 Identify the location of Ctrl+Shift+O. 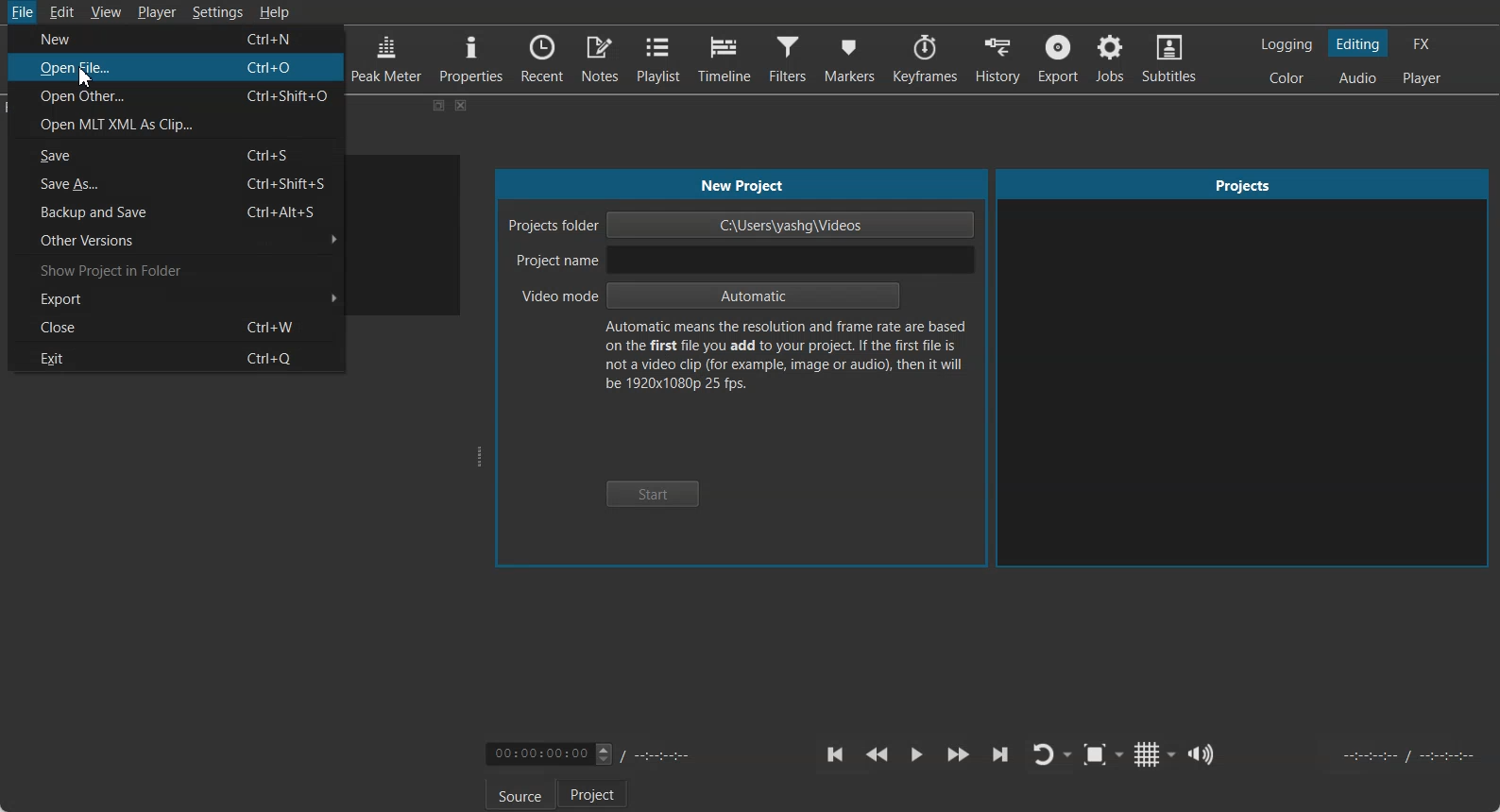
(293, 94).